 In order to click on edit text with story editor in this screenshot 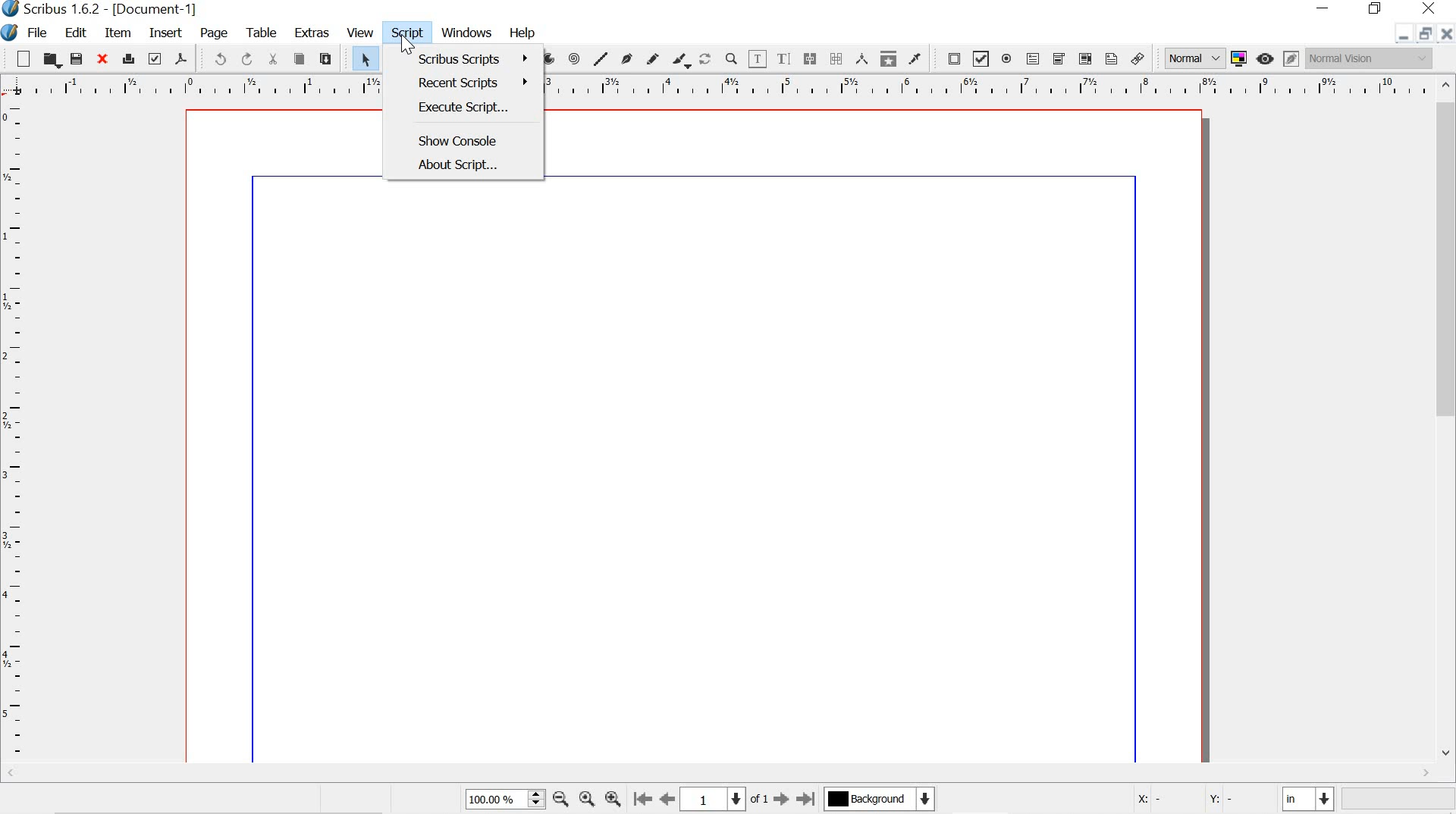, I will do `click(783, 60)`.